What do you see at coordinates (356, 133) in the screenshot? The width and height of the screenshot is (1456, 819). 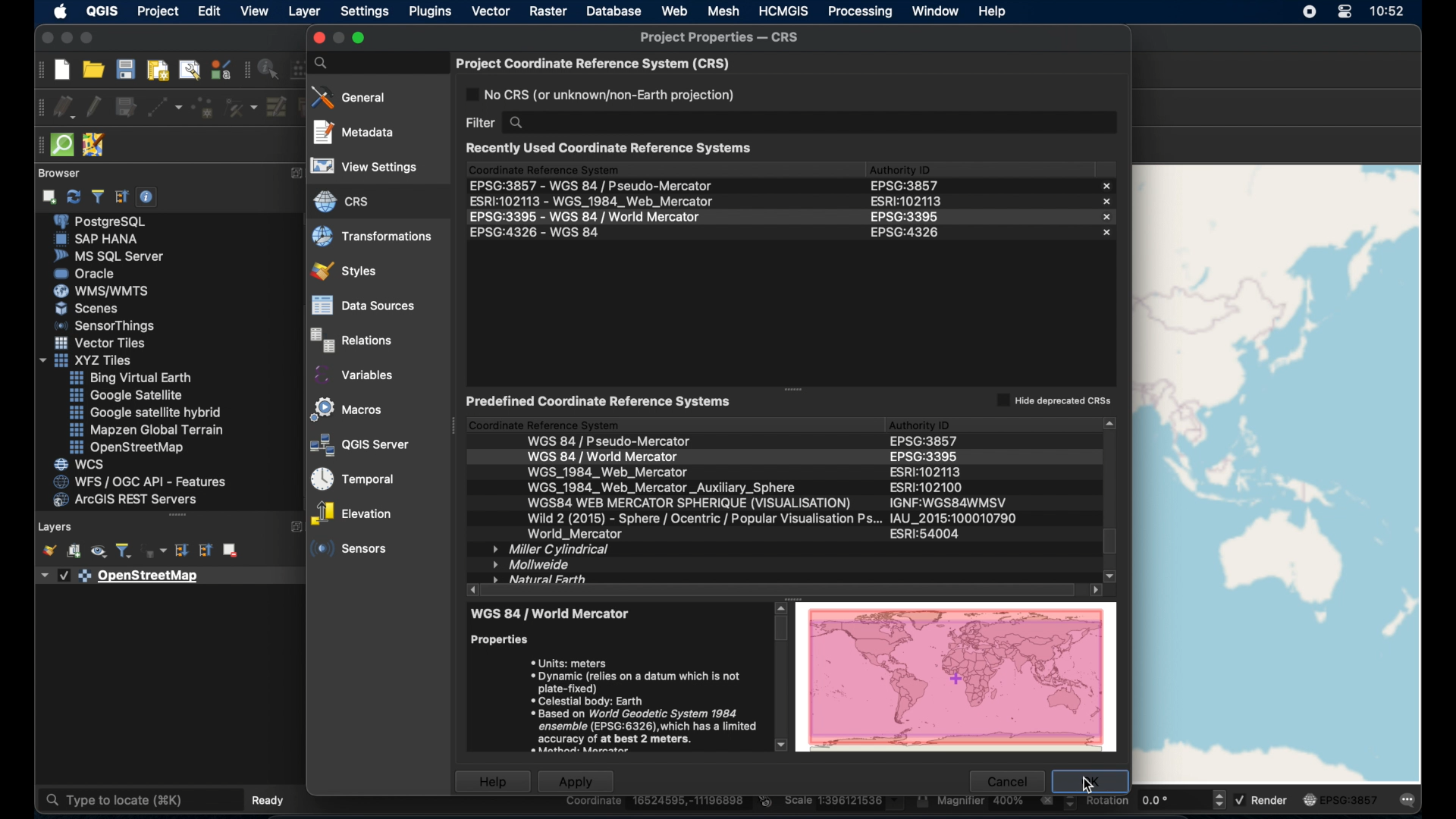 I see `metadata` at bounding box center [356, 133].